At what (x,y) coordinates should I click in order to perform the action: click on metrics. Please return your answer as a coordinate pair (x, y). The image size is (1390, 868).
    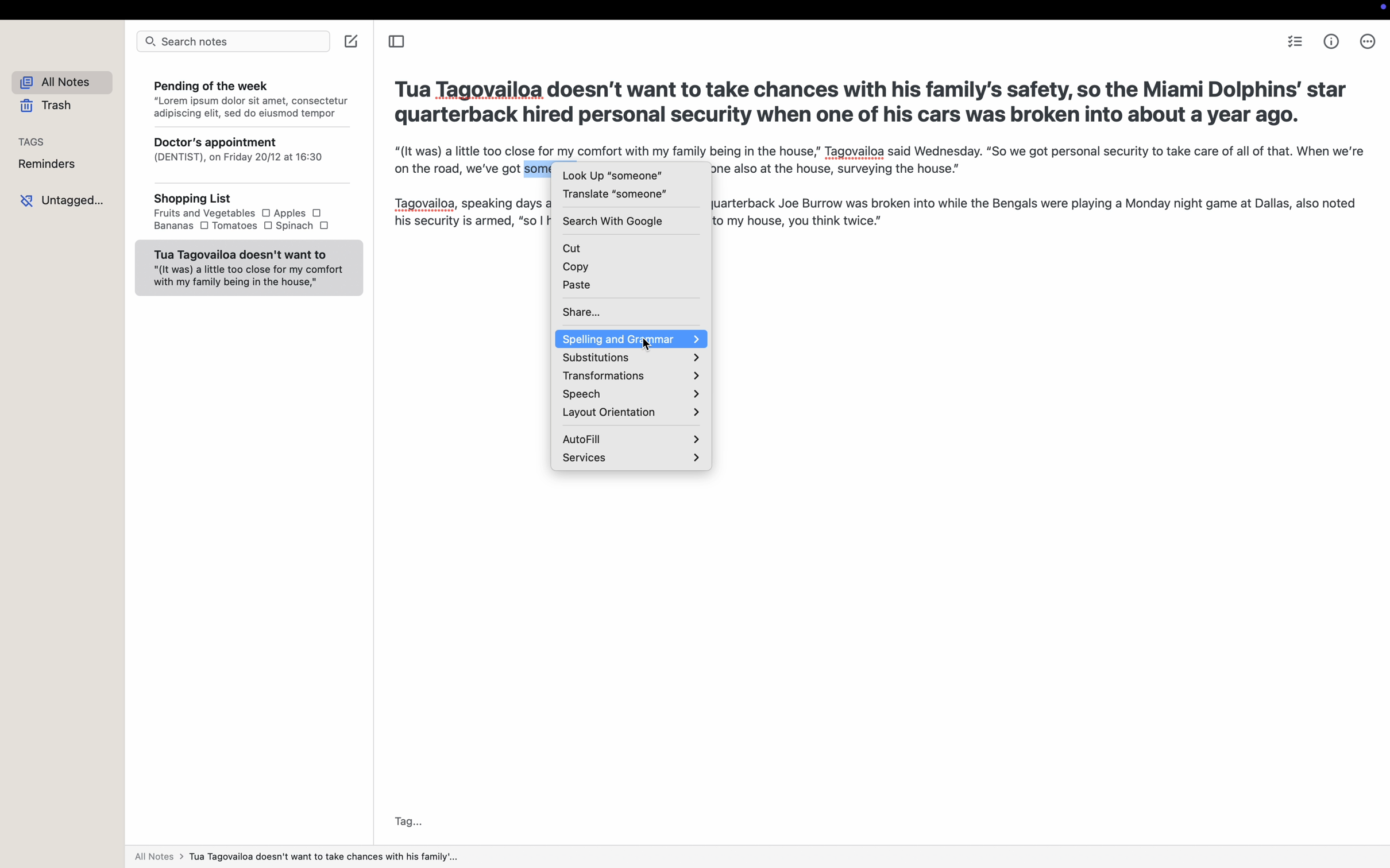
    Looking at the image, I should click on (1333, 41).